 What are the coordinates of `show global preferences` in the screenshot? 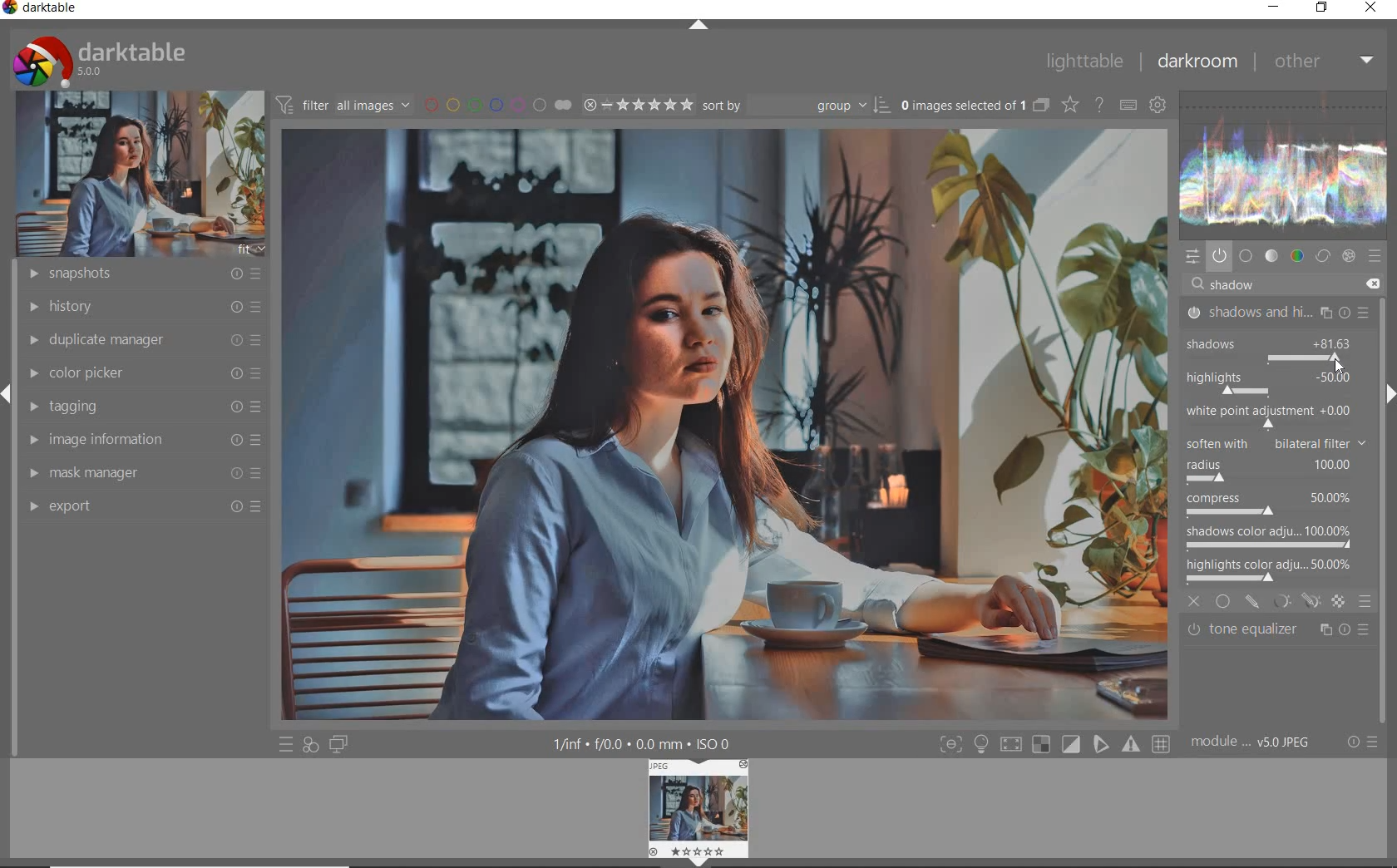 It's located at (1158, 106).